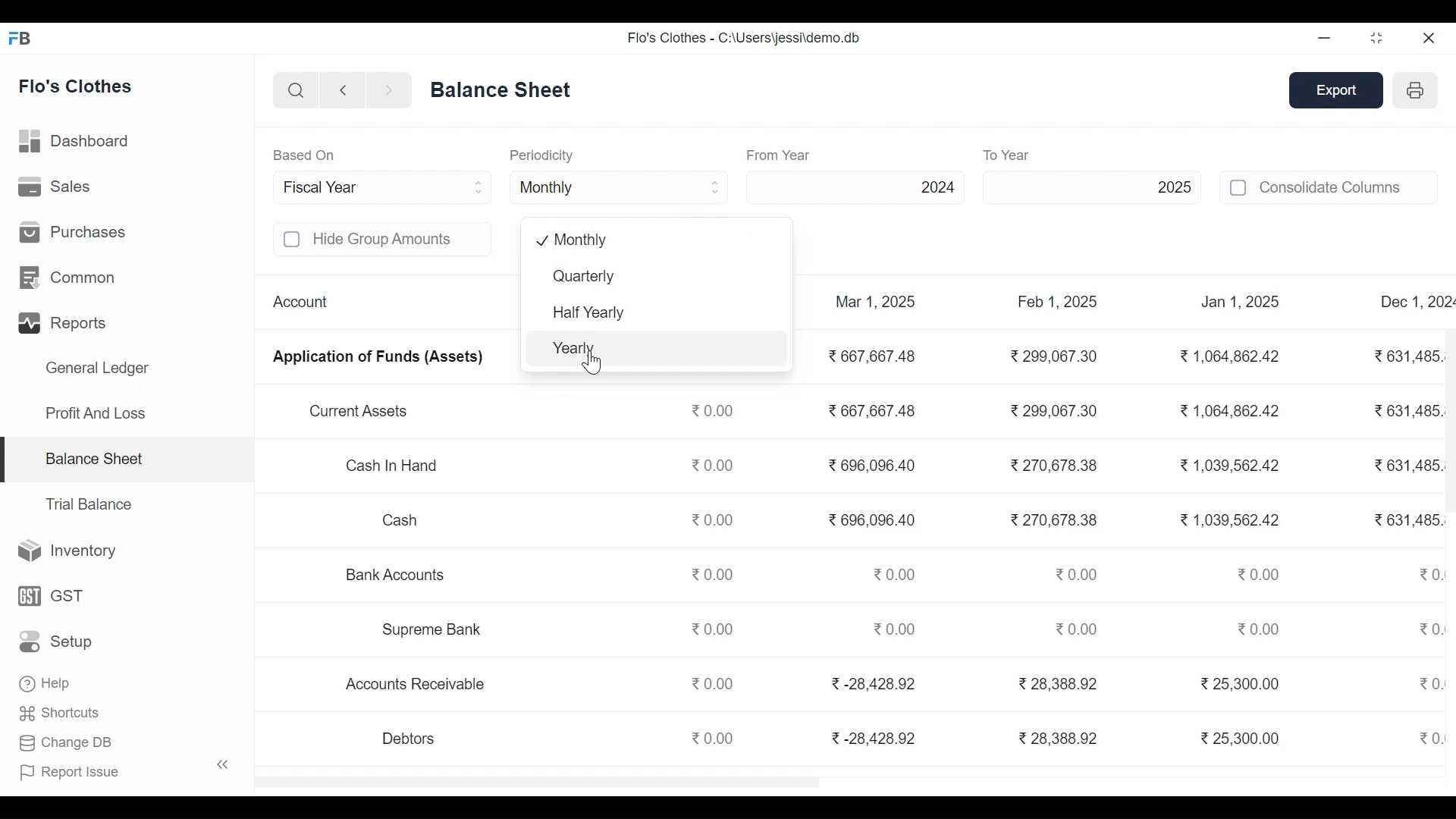  Describe the element at coordinates (381, 359) in the screenshot. I see `Application of Funds (Assets)` at that location.